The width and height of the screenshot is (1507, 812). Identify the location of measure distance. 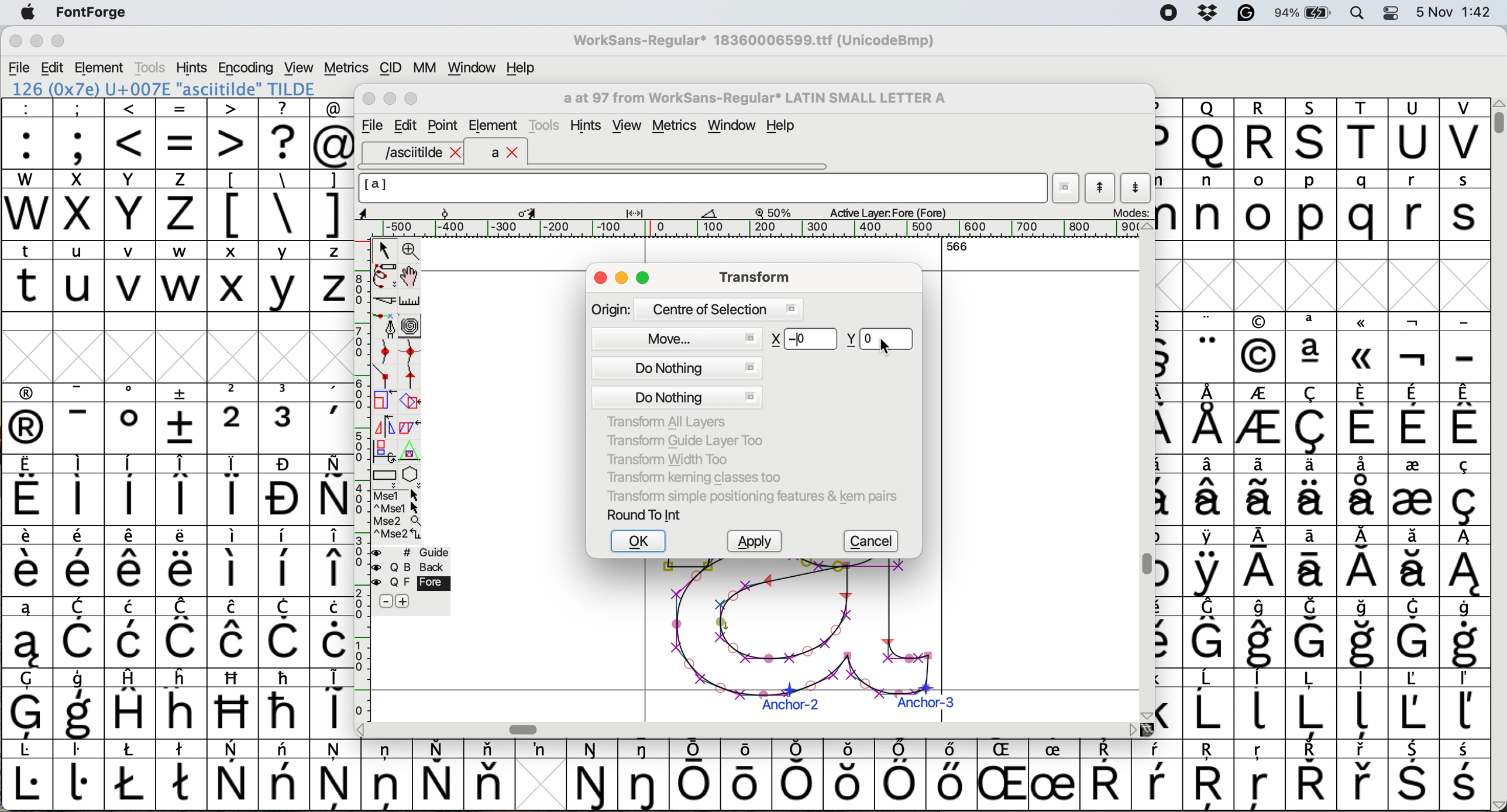
(411, 301).